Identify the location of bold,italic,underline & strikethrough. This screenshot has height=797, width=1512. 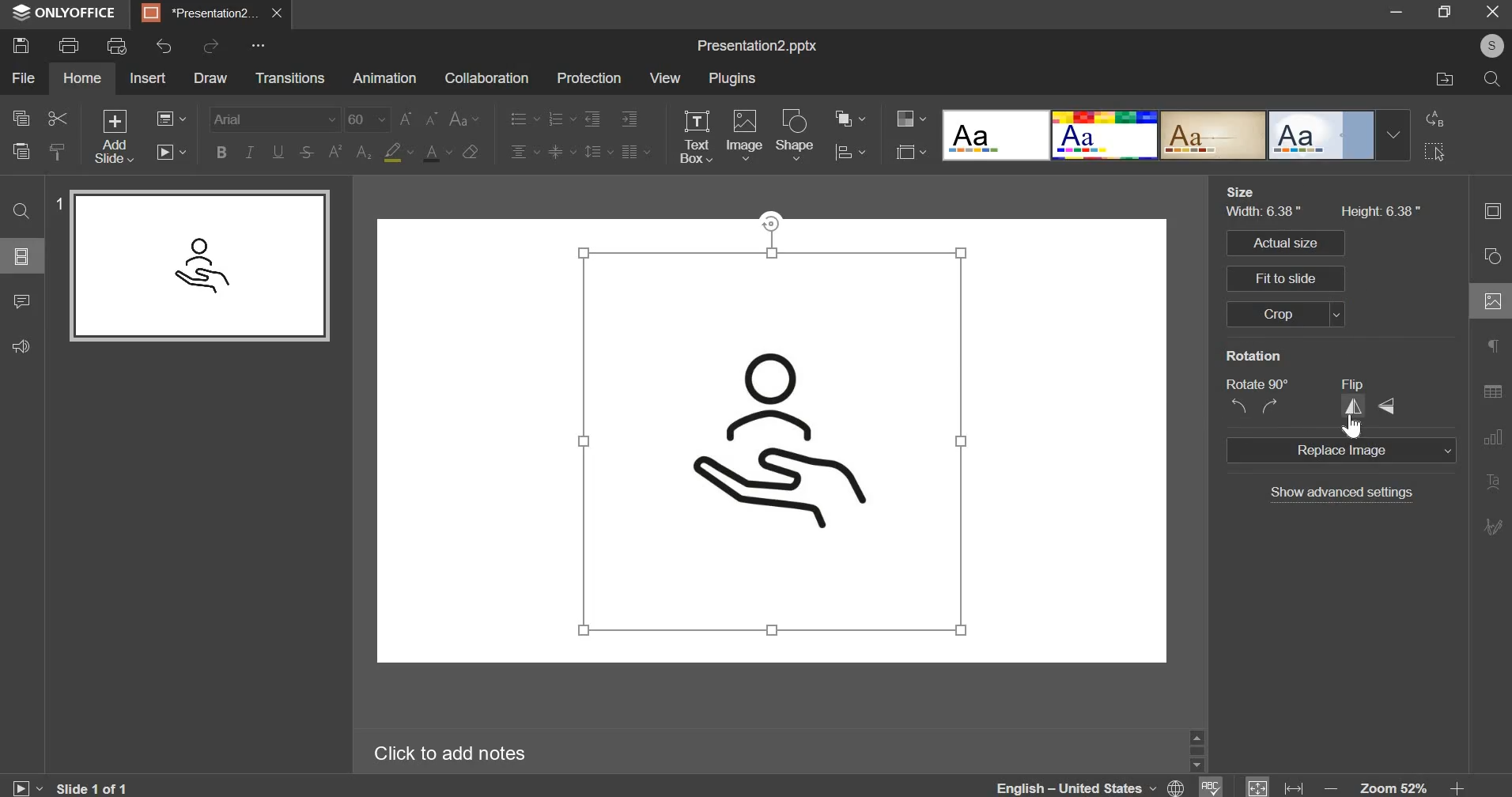
(264, 152).